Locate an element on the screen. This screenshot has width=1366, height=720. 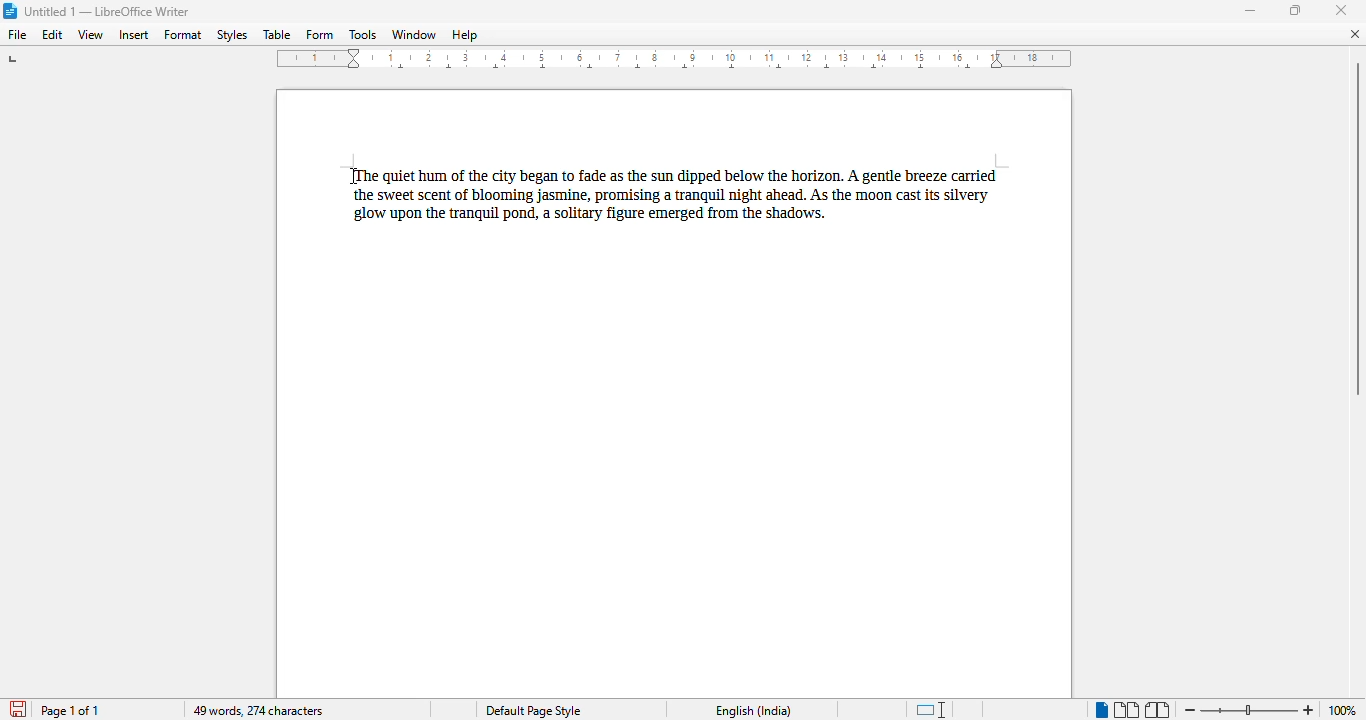
tools is located at coordinates (363, 34).